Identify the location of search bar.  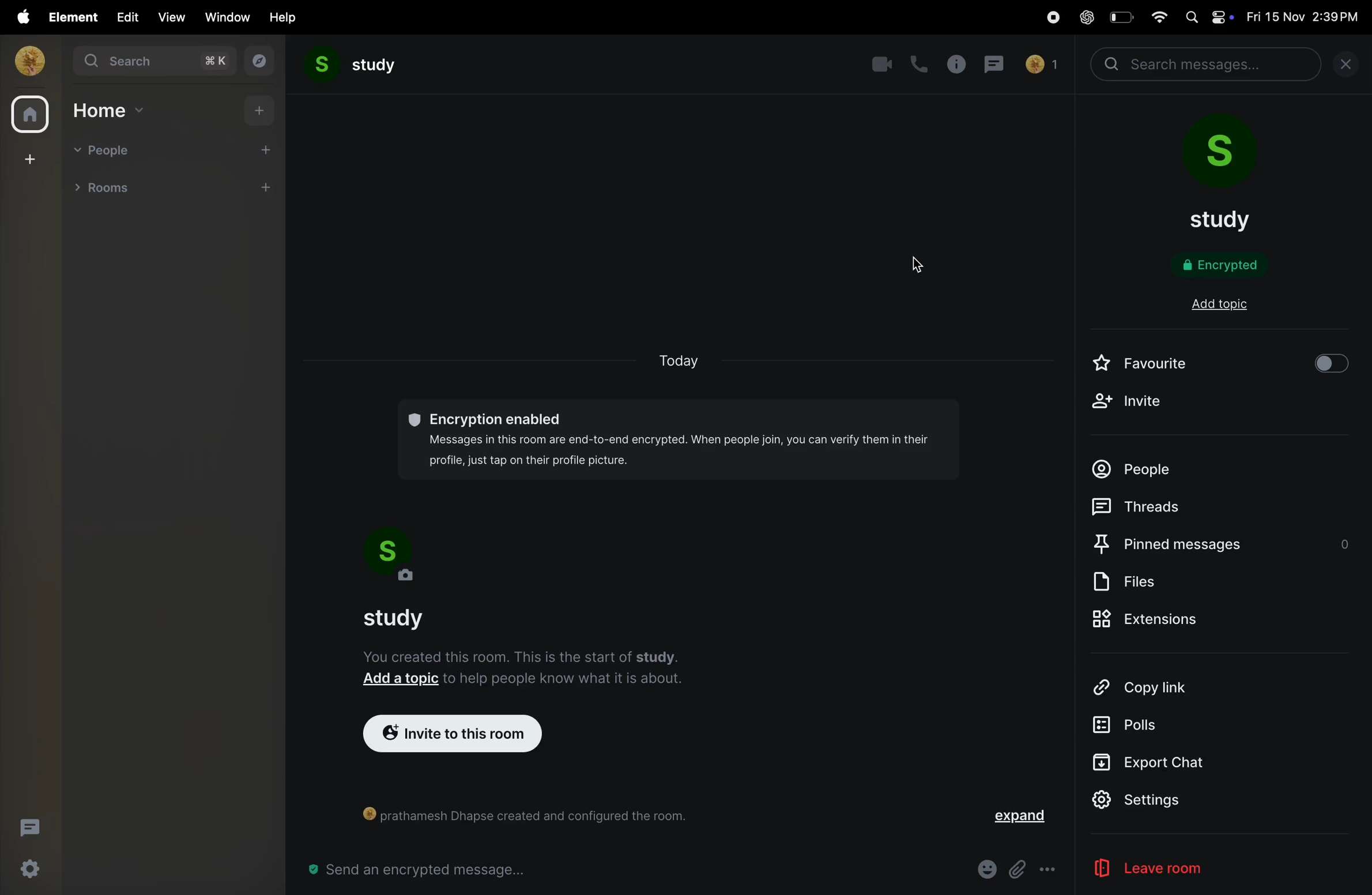
(1208, 65).